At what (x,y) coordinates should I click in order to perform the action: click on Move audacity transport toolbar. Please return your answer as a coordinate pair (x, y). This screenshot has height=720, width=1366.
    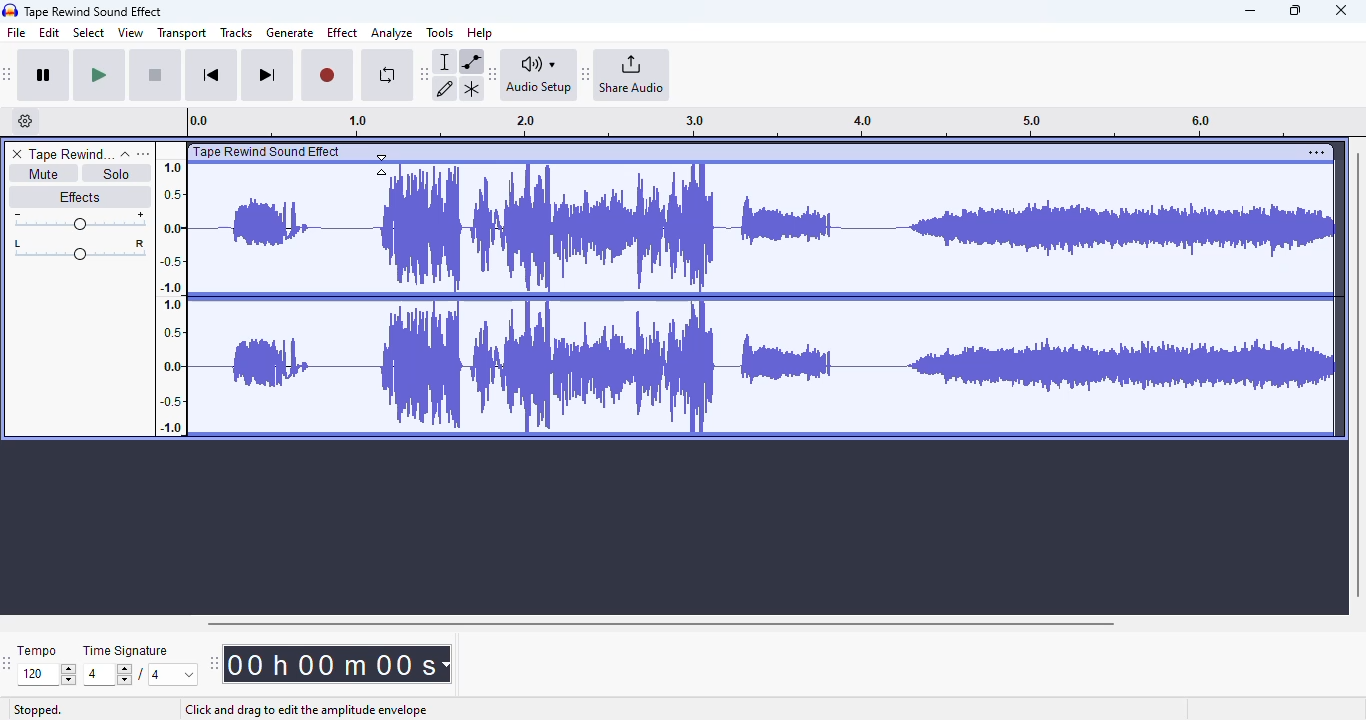
    Looking at the image, I should click on (8, 74).